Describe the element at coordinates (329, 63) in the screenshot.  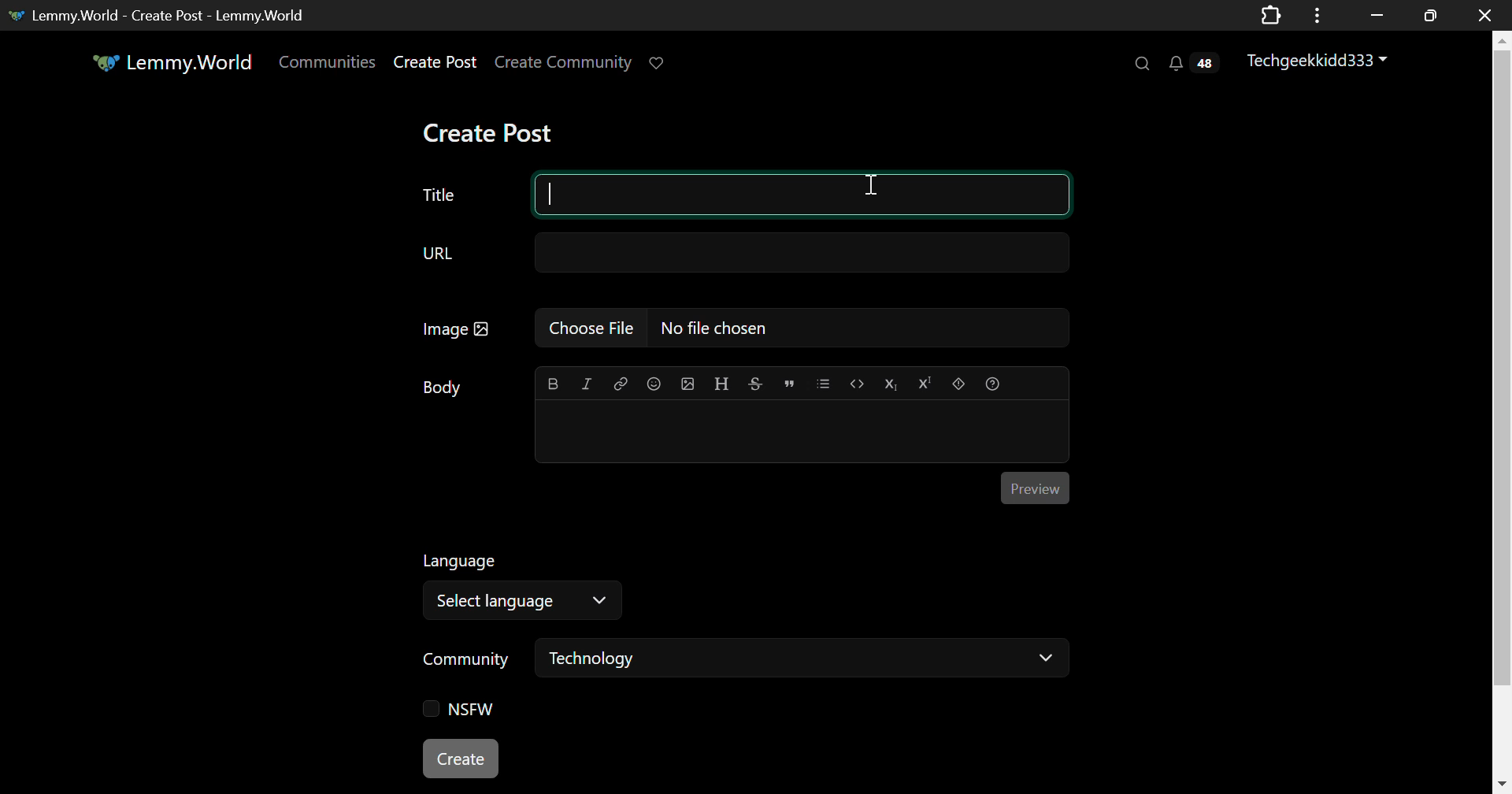
I see `Communities` at that location.